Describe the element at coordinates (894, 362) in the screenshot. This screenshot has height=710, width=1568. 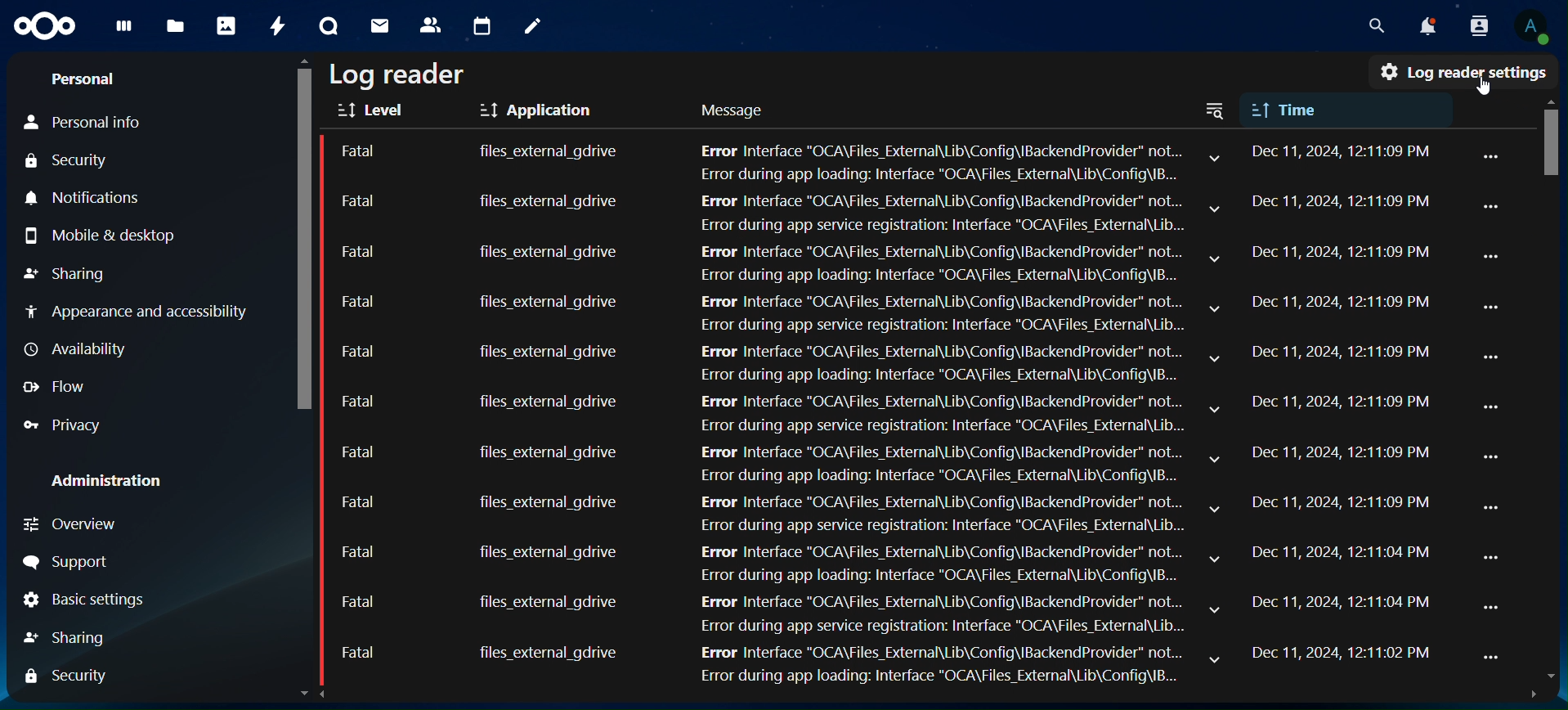
I see `information about log level, application, it's message and time details` at that location.